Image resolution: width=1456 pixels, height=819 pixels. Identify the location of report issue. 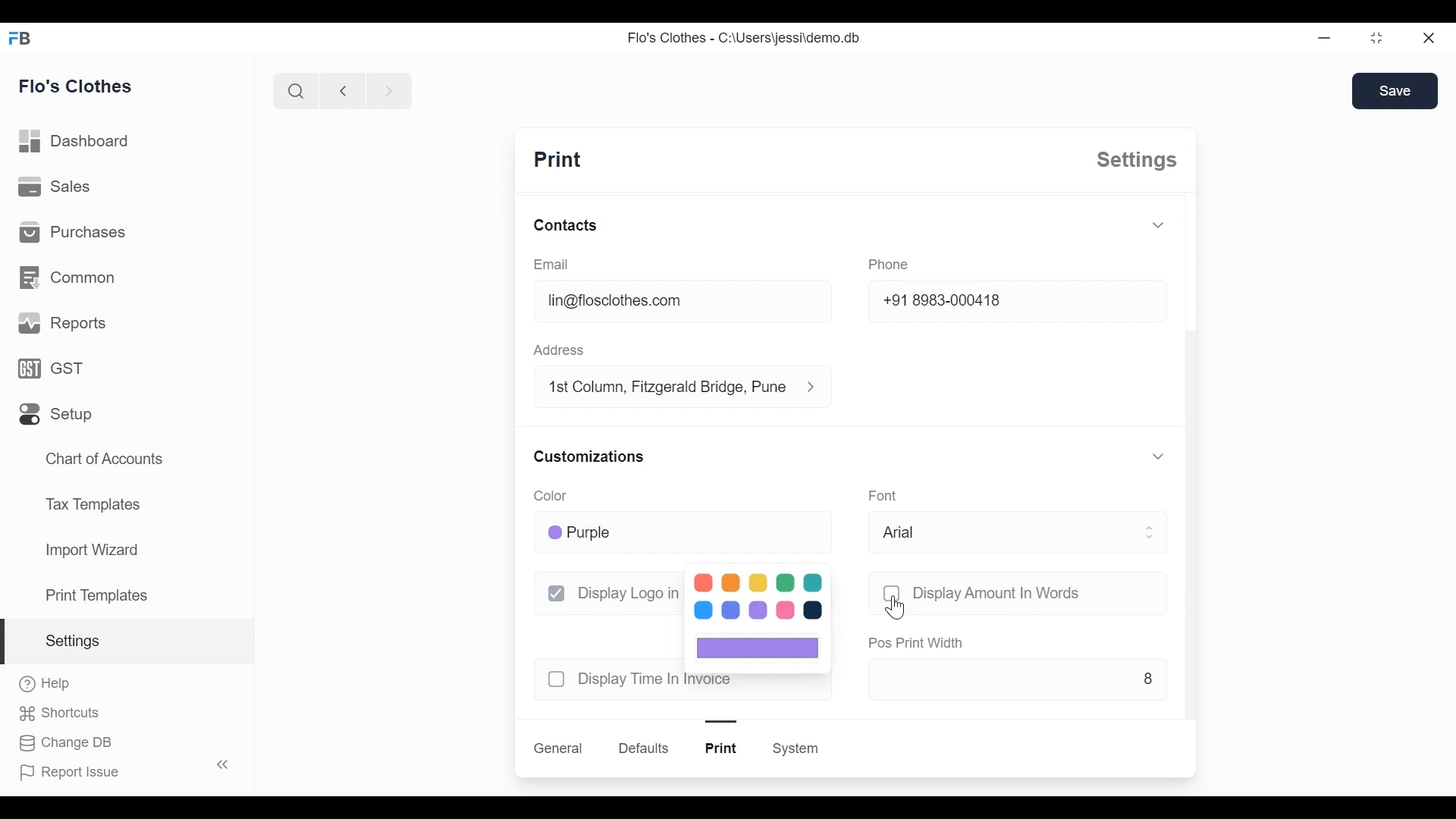
(70, 773).